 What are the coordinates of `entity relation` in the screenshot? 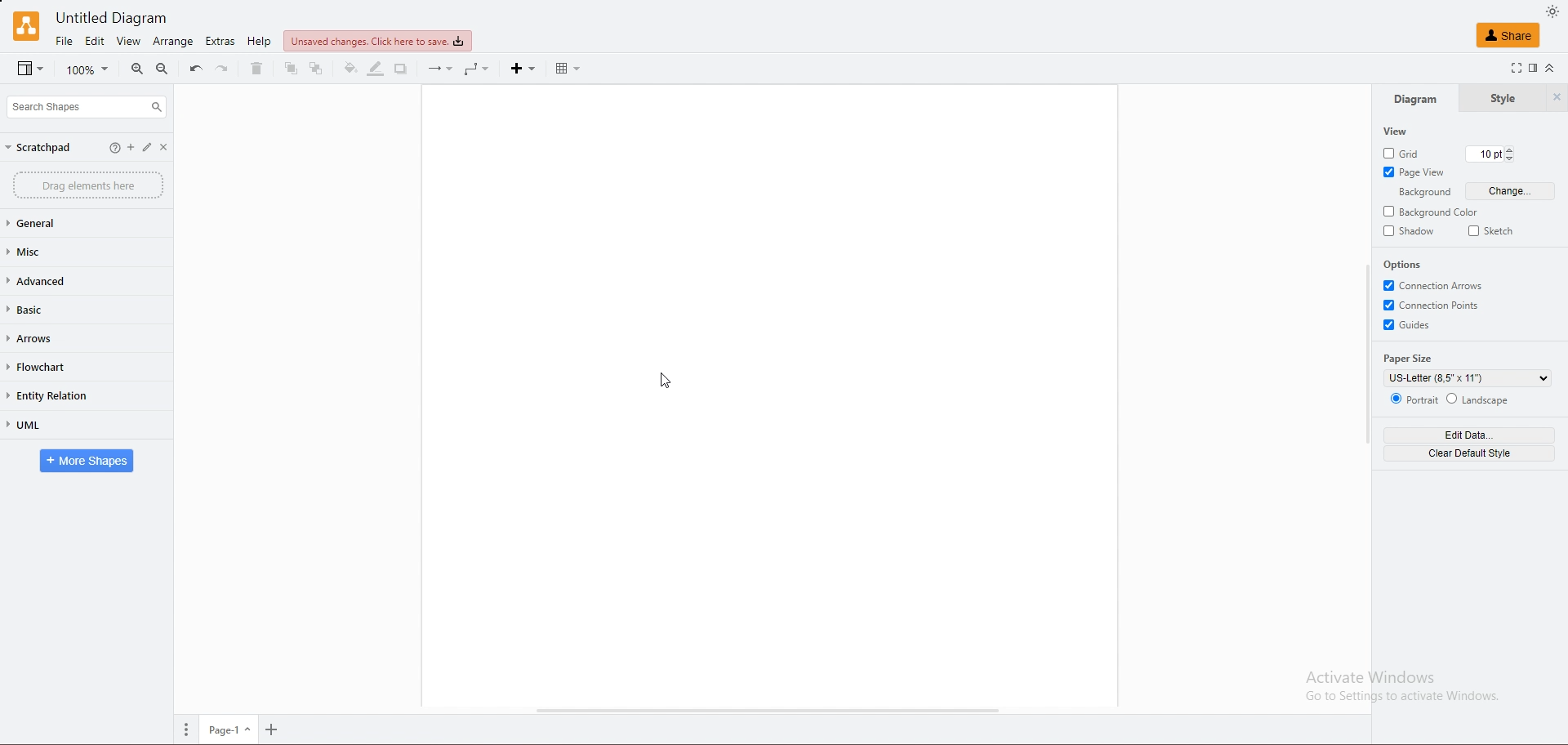 It's located at (60, 395).